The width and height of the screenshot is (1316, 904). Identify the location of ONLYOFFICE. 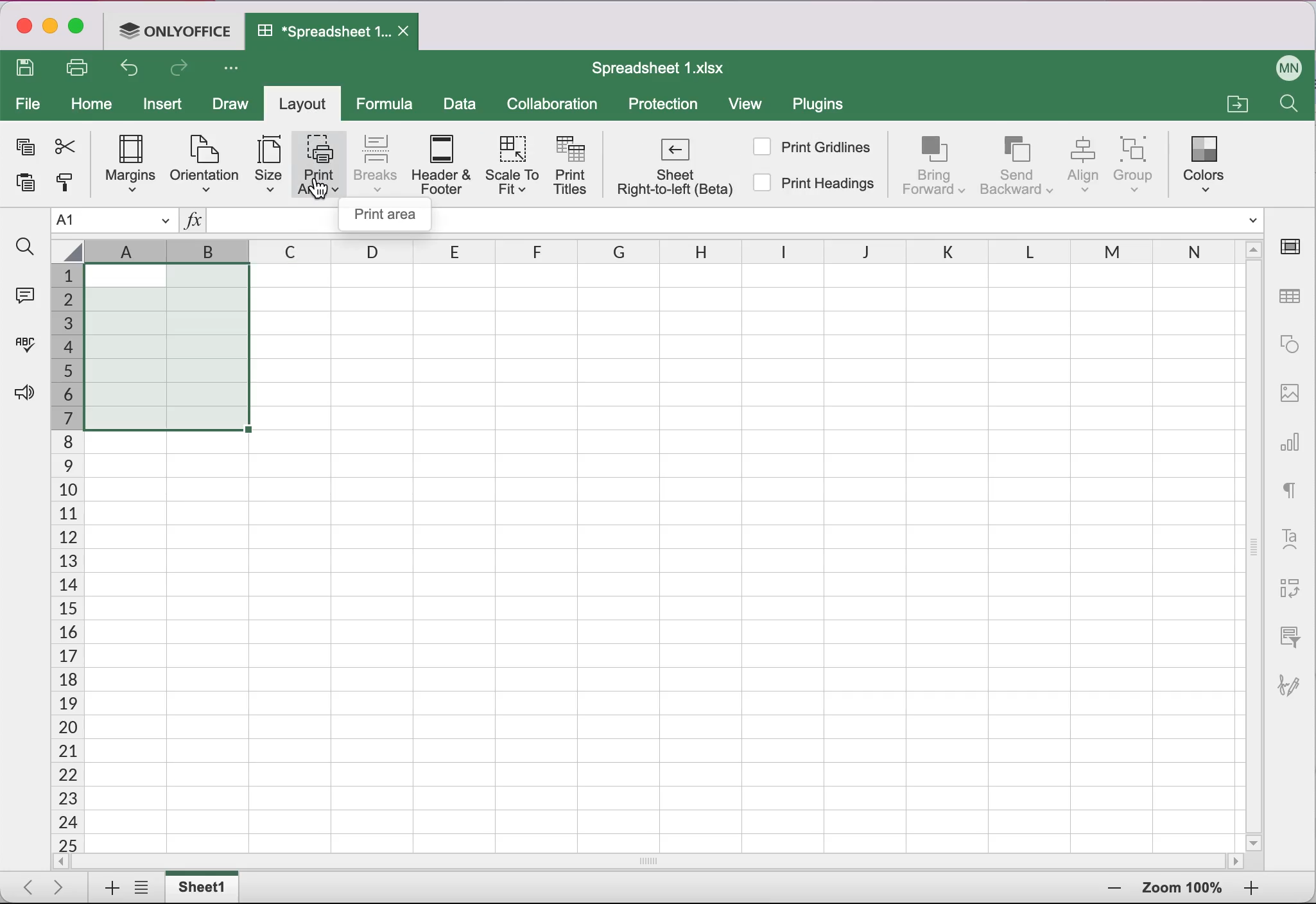
(178, 30).